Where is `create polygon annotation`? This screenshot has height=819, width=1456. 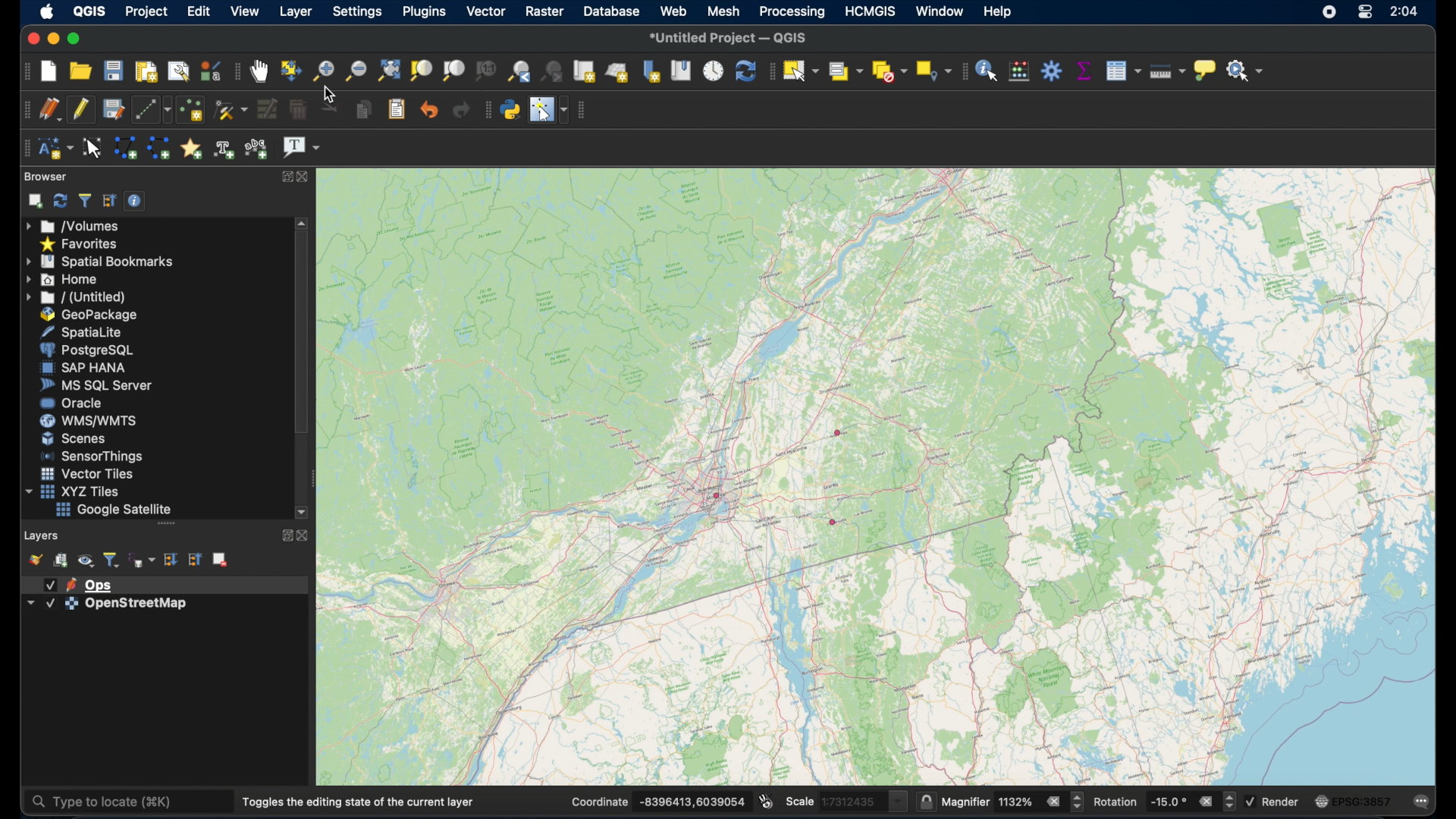
create polygon annotation is located at coordinates (126, 146).